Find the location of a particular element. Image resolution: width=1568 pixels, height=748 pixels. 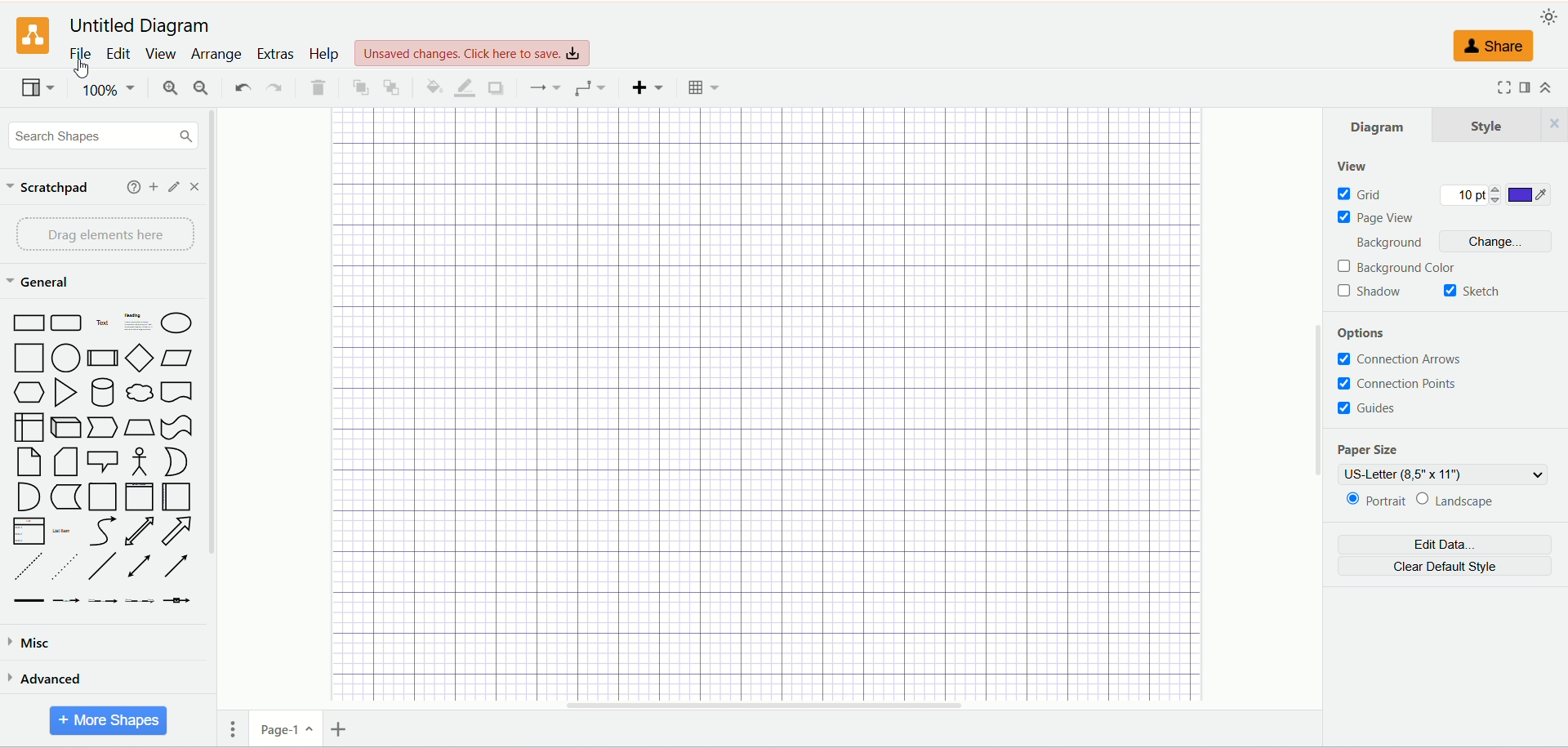

Connector with 2 Labels is located at coordinates (104, 602).